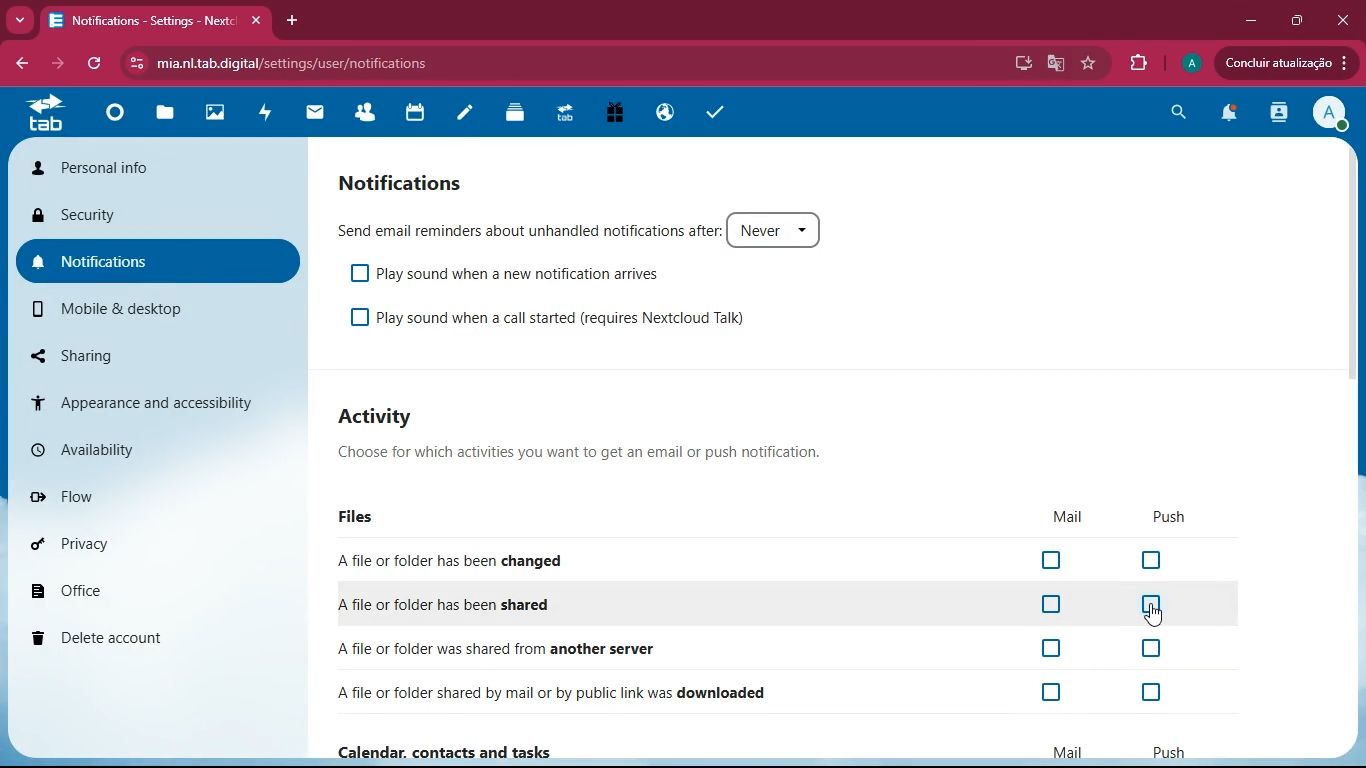 The height and width of the screenshot is (768, 1366). Describe the element at coordinates (382, 417) in the screenshot. I see `activity` at that location.